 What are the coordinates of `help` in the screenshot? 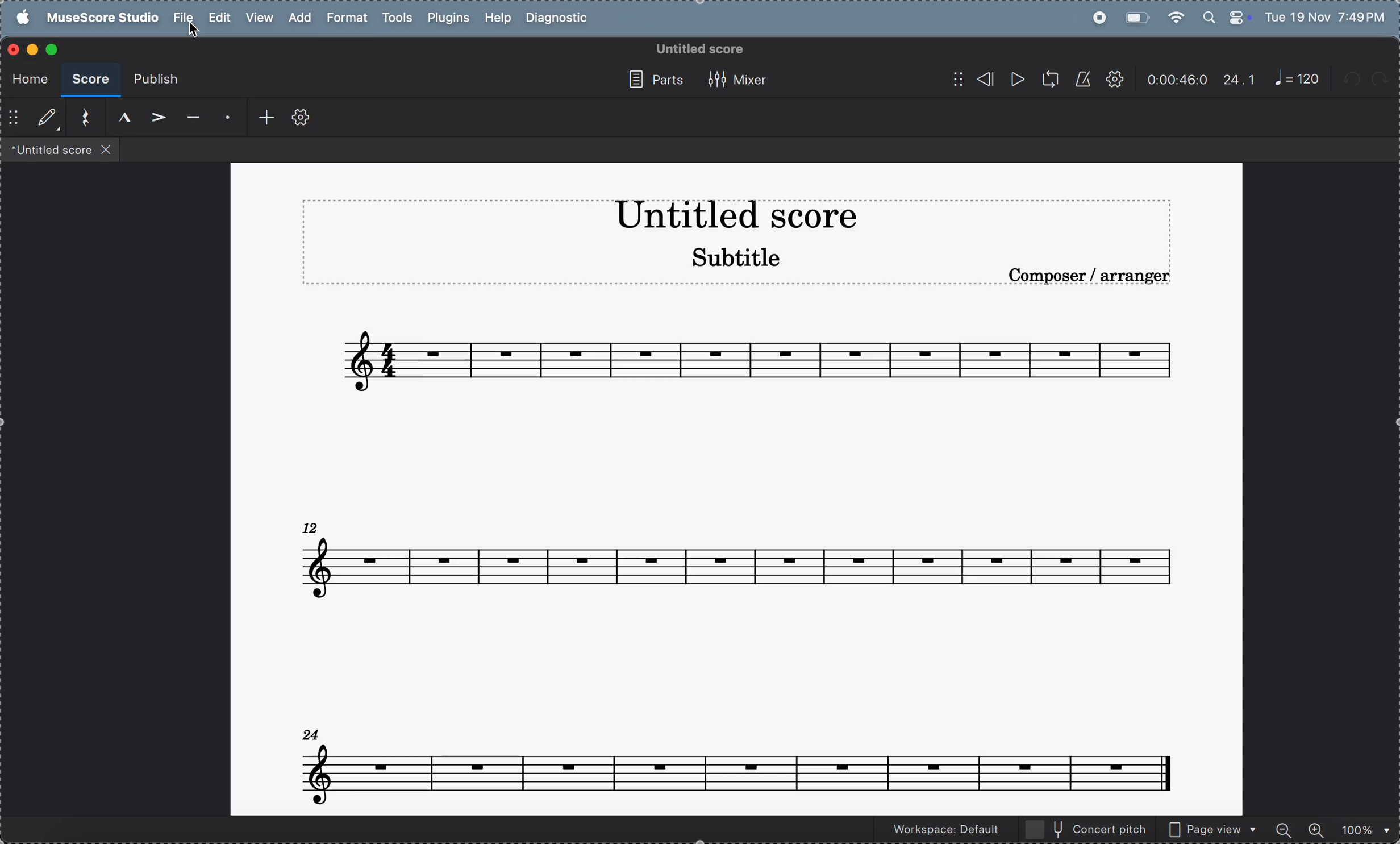 It's located at (497, 19).